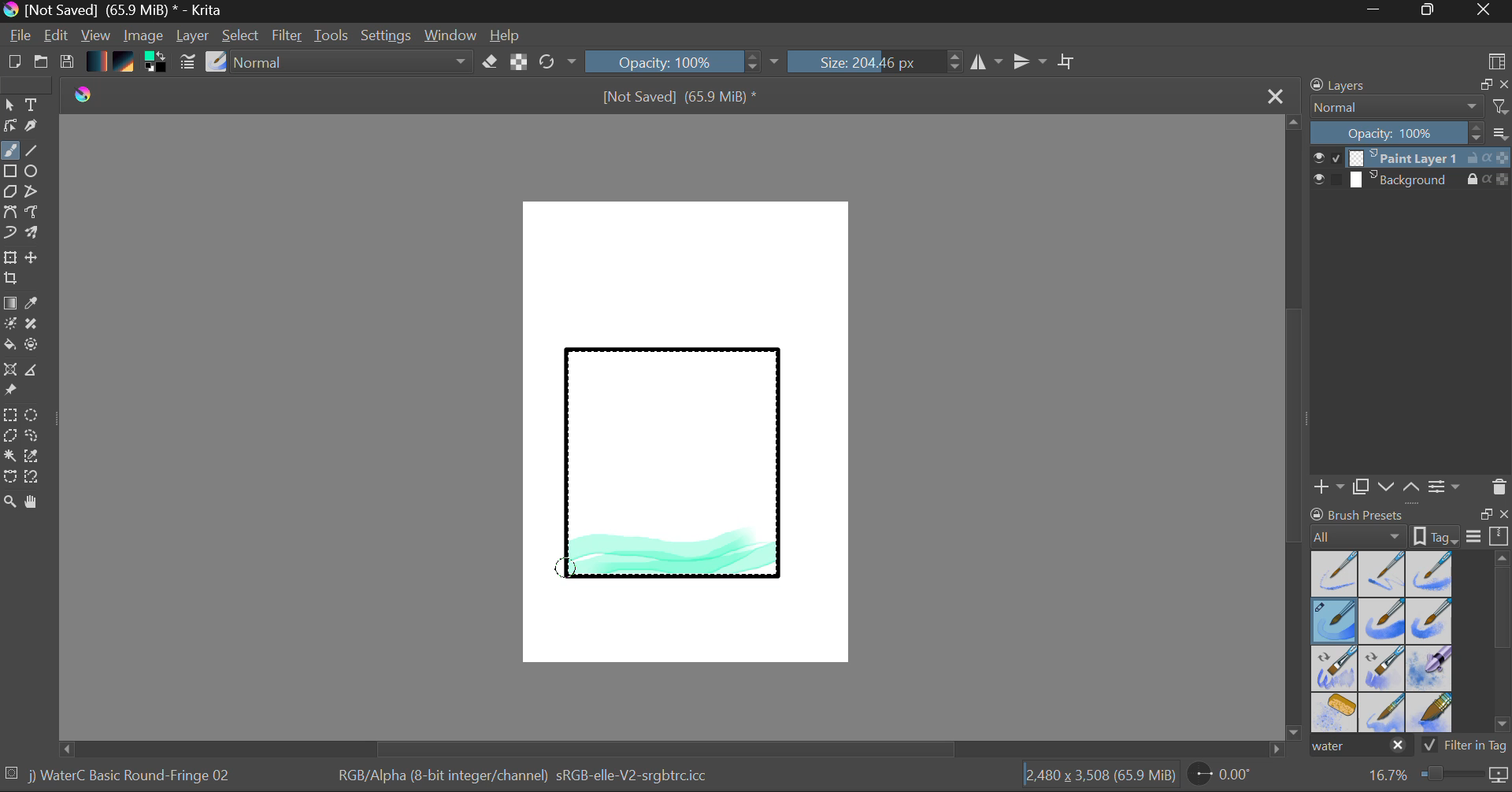 The image size is (1512, 792). I want to click on Settings, so click(387, 35).